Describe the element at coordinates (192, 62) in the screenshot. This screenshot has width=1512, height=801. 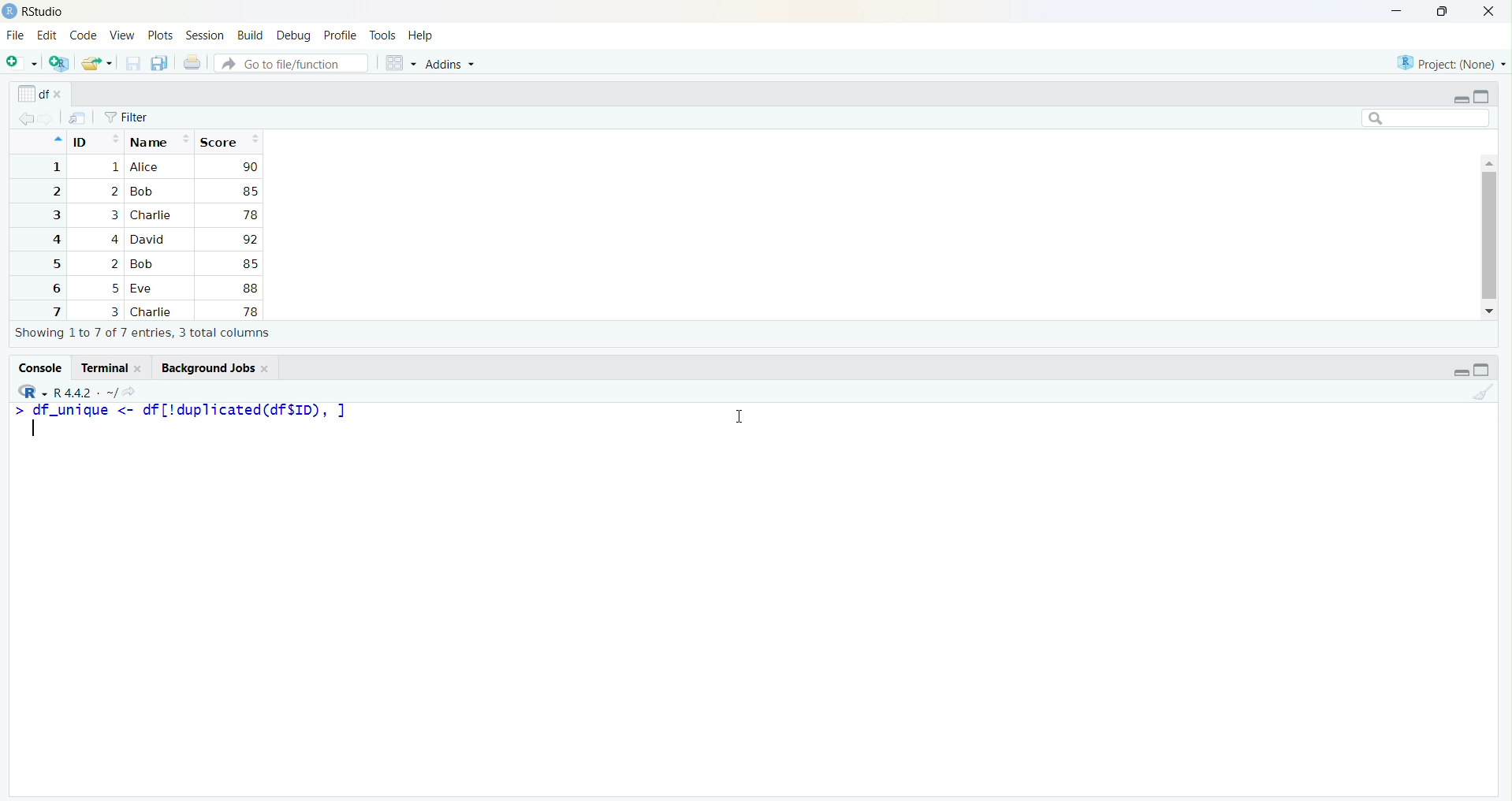
I see `print` at that location.